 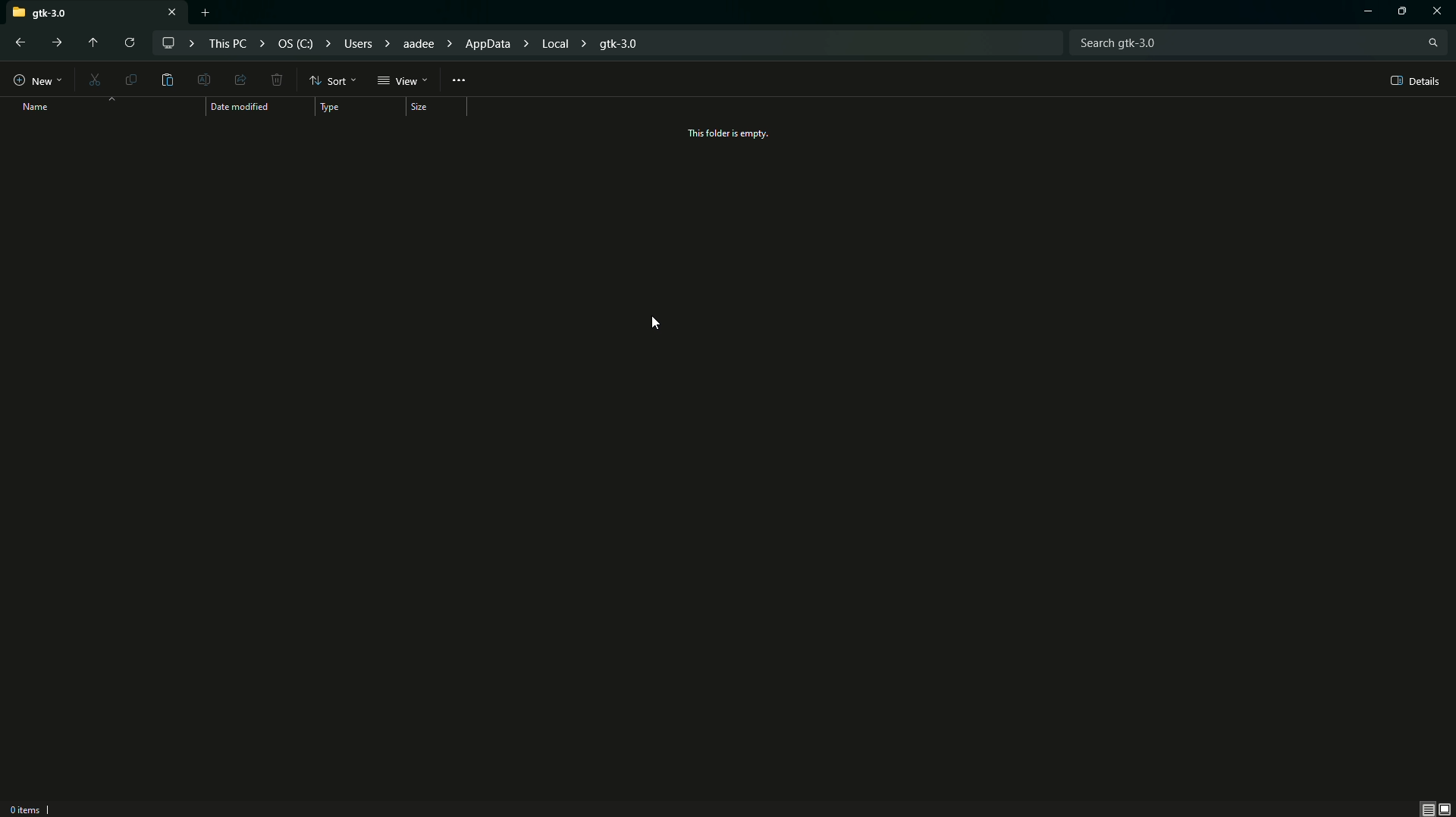 What do you see at coordinates (33, 808) in the screenshot?
I see `0 Items` at bounding box center [33, 808].